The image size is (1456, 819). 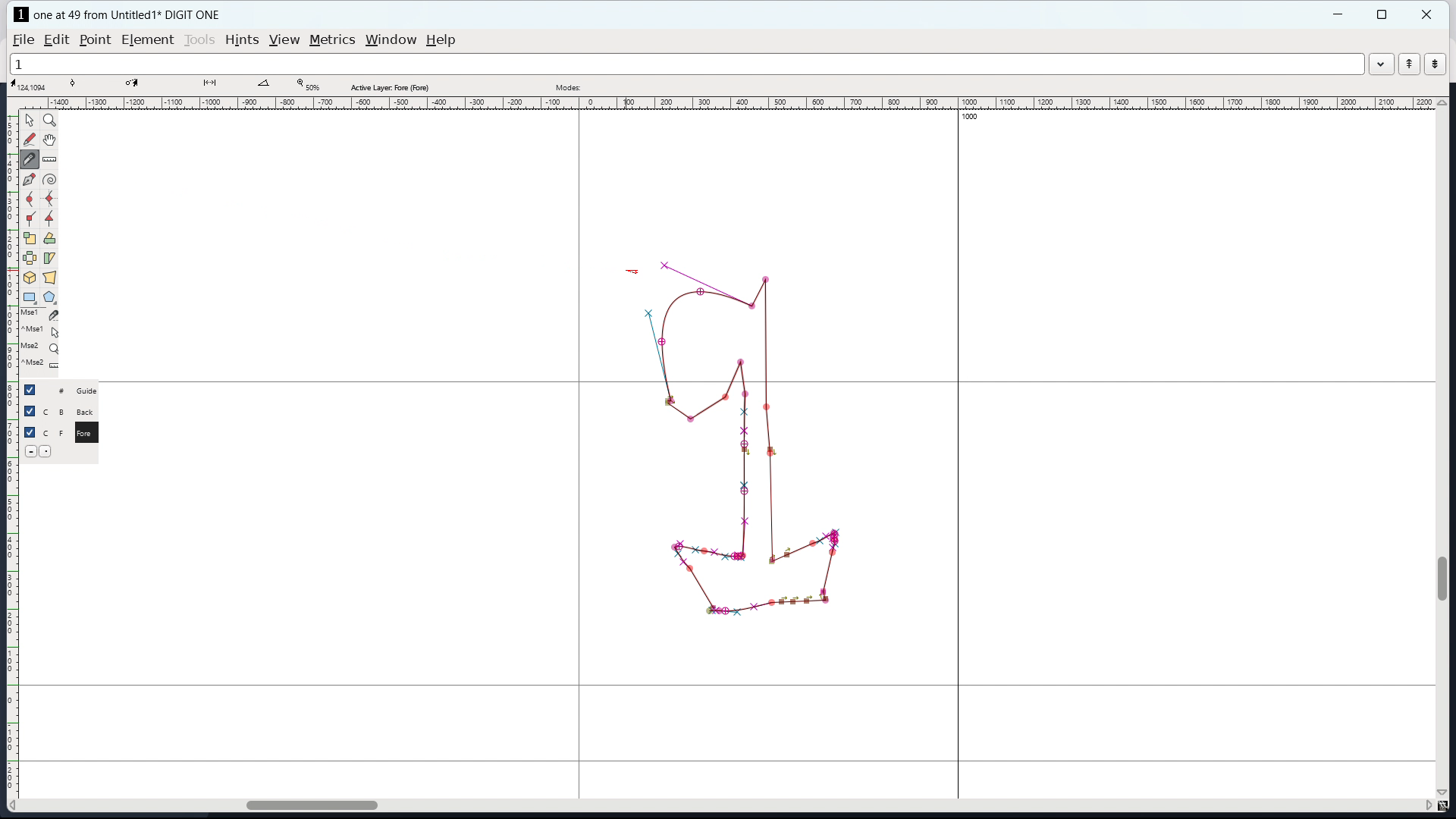 I want to click on view, so click(x=284, y=40).